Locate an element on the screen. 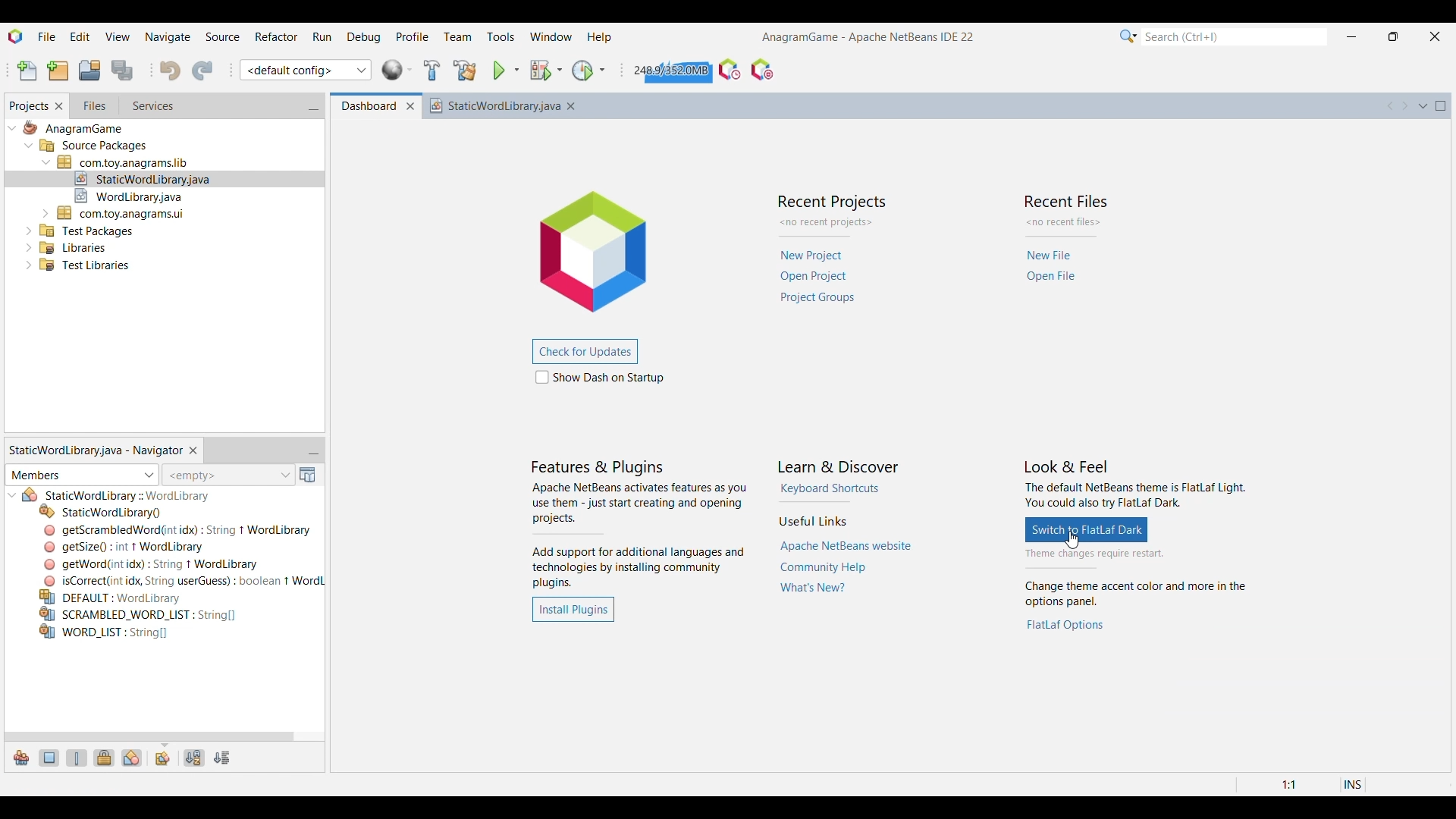  Debug menu is located at coordinates (364, 36).